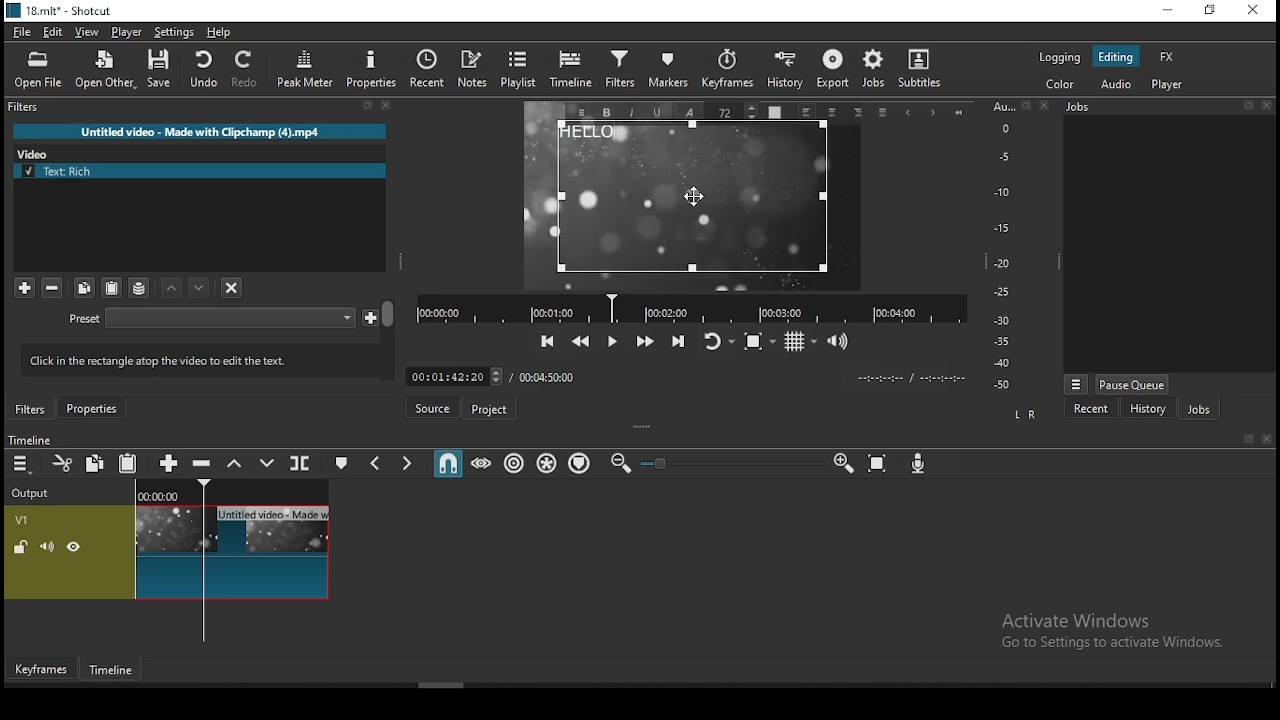  Describe the element at coordinates (724, 73) in the screenshot. I see `keyframes` at that location.